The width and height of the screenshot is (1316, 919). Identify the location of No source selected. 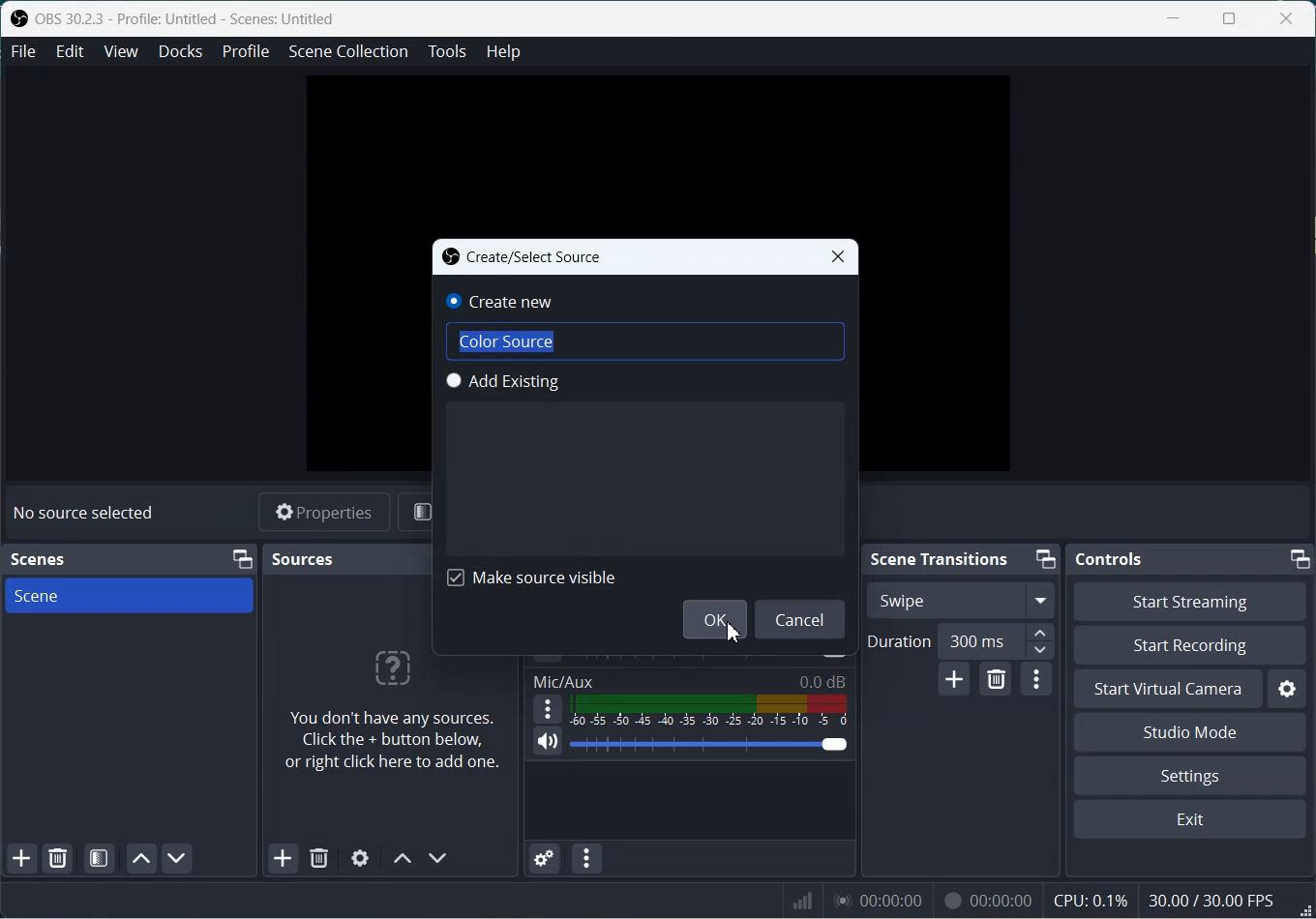
(86, 513).